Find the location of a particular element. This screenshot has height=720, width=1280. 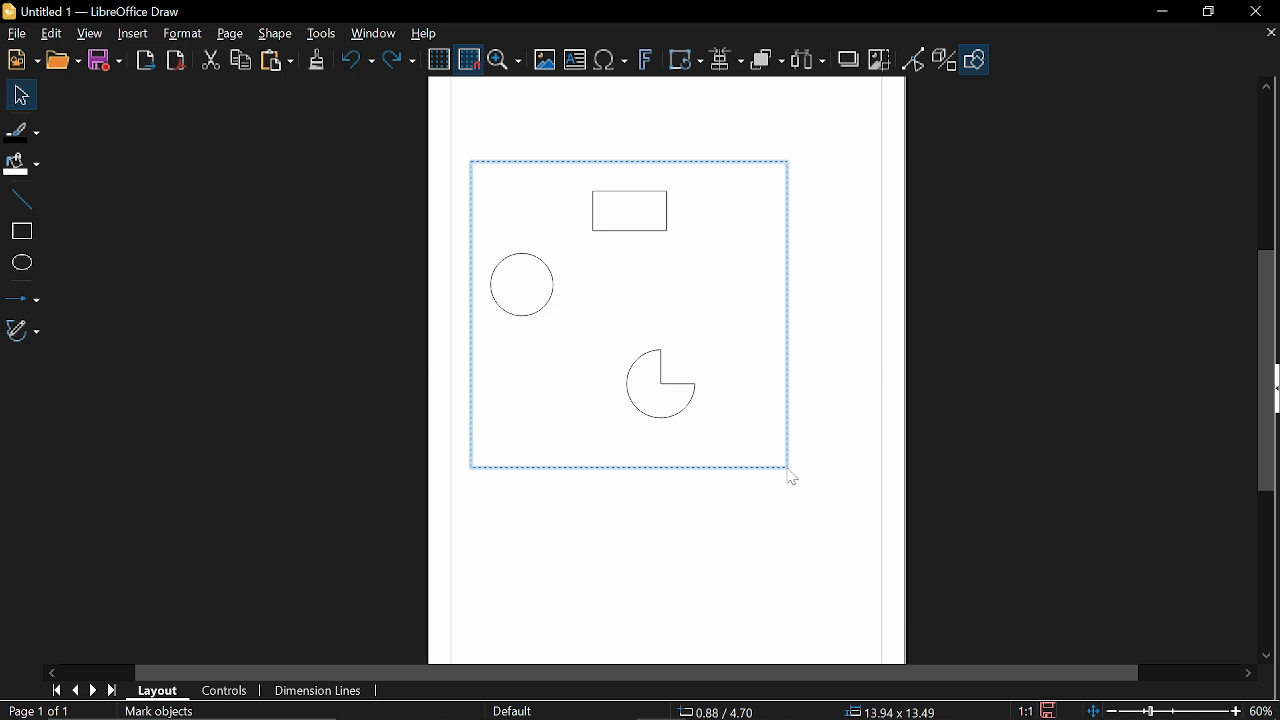

Change zoom is located at coordinates (1159, 710).